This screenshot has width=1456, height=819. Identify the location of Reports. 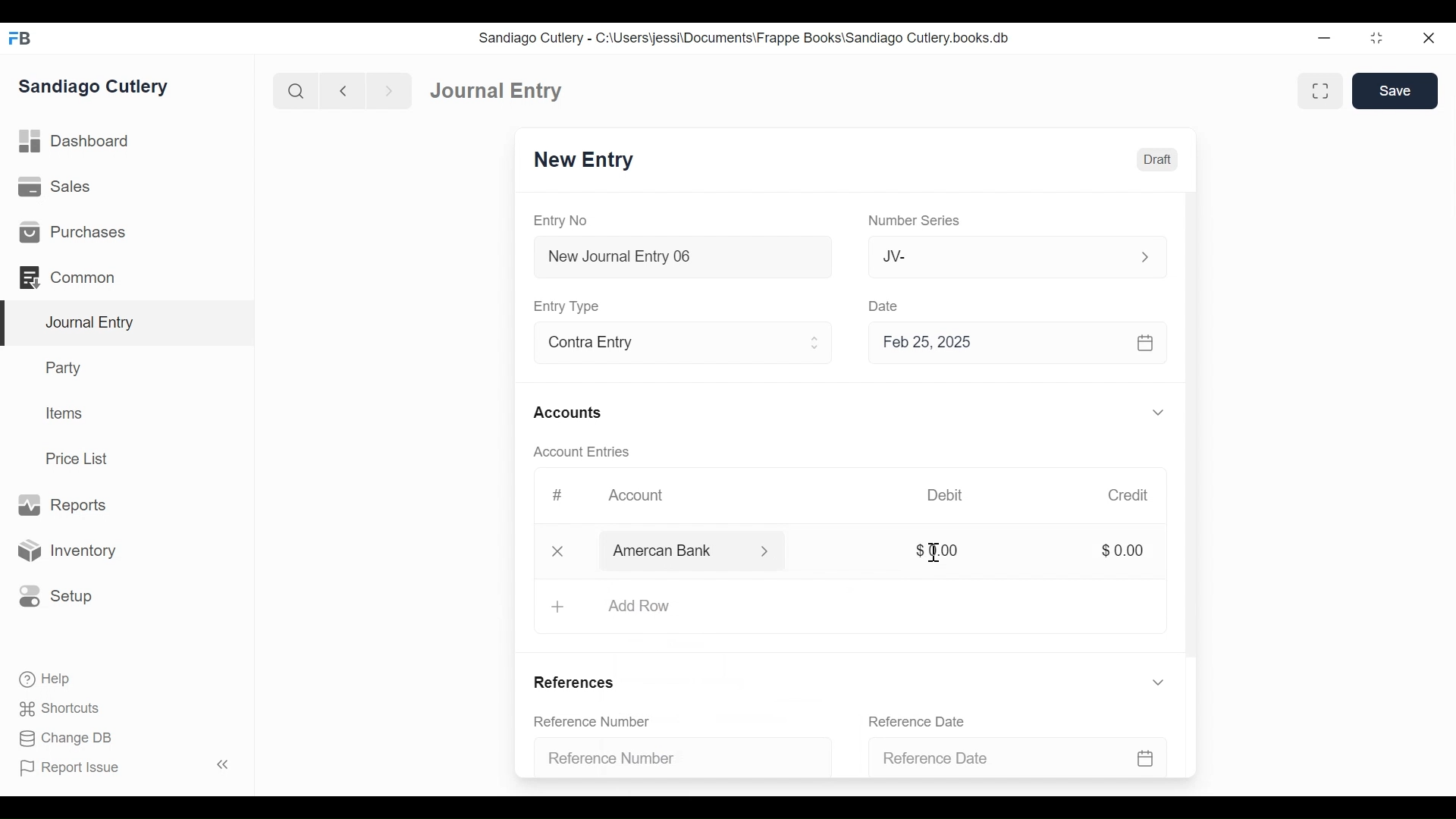
(61, 506).